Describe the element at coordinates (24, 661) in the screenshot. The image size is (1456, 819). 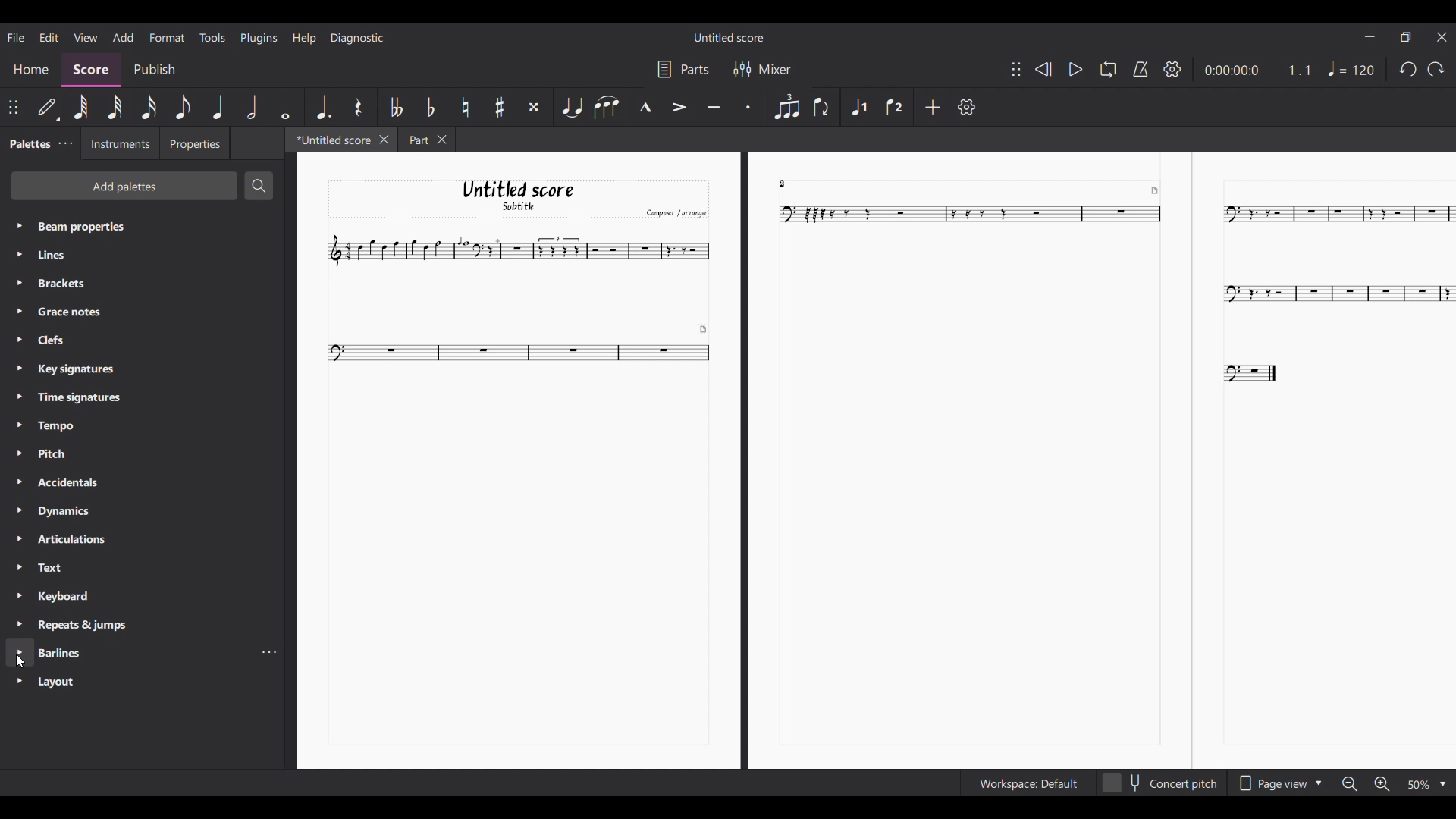
I see `cursor` at that location.